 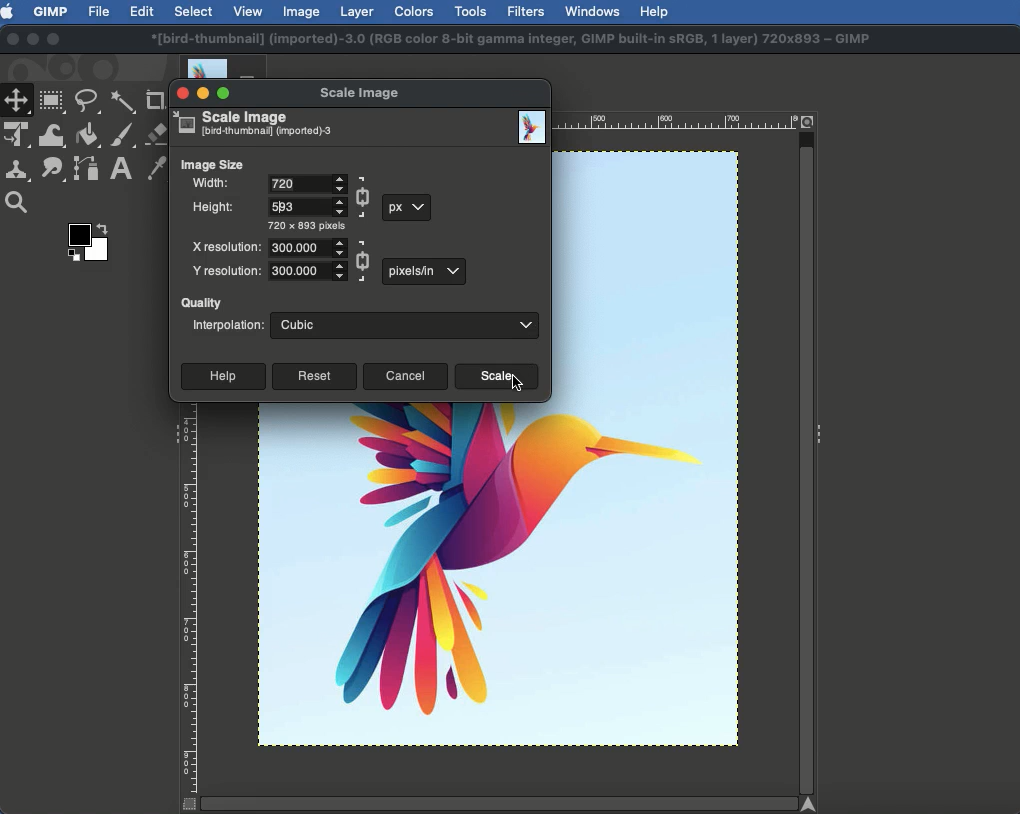 I want to click on Cancel, so click(x=404, y=378).